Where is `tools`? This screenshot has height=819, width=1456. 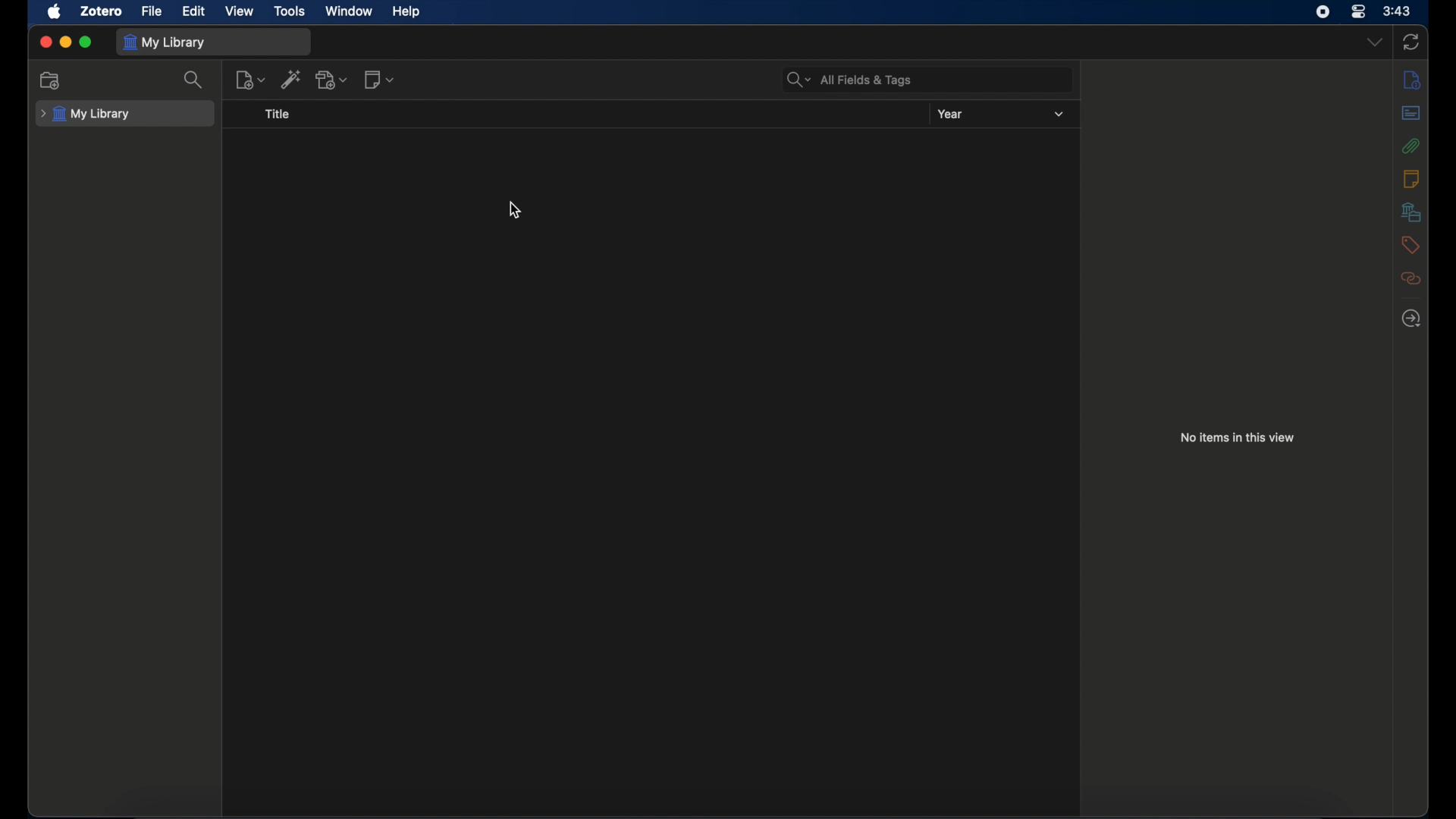
tools is located at coordinates (290, 11).